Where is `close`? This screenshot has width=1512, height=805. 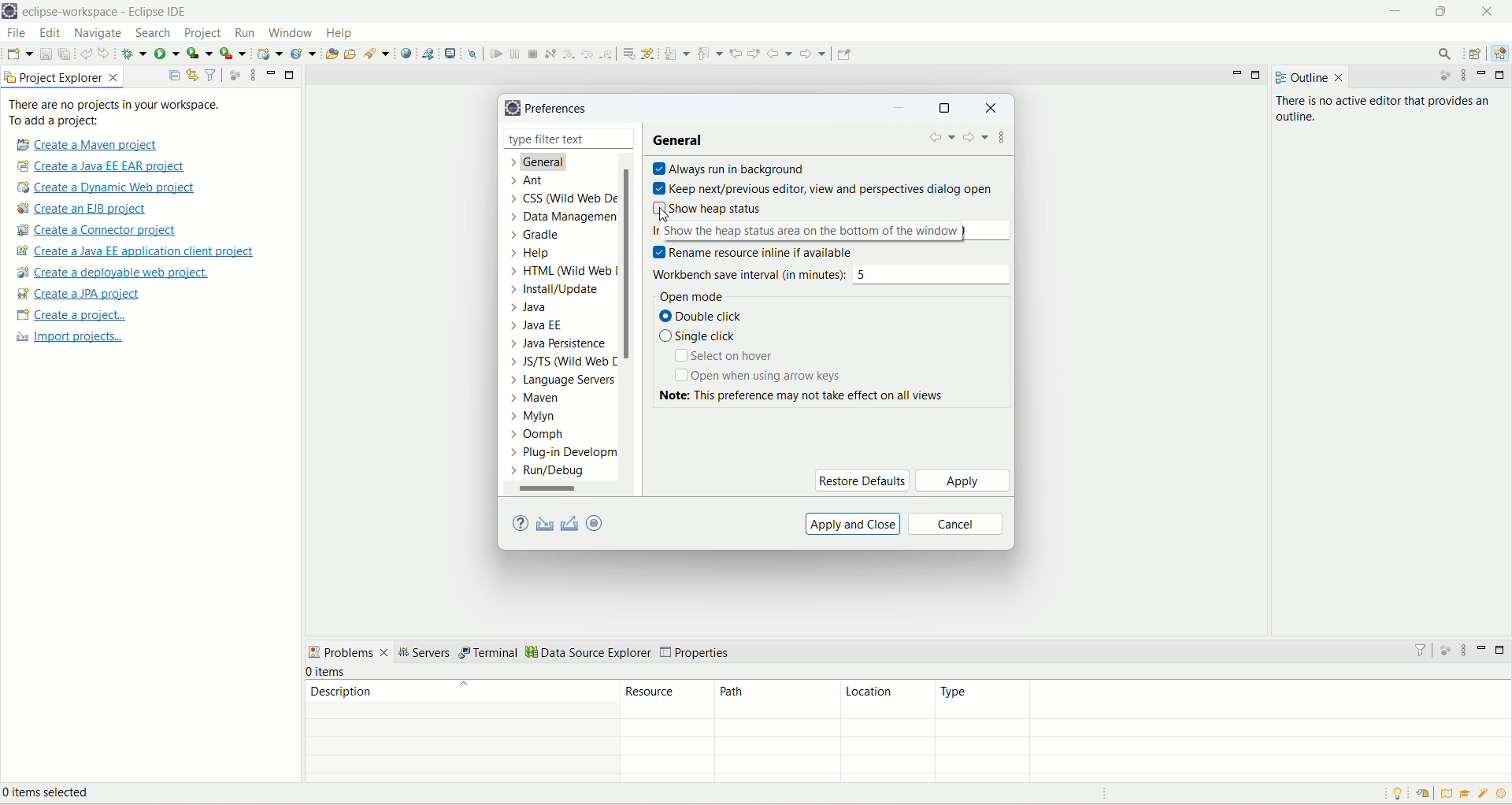
close is located at coordinates (624, 138).